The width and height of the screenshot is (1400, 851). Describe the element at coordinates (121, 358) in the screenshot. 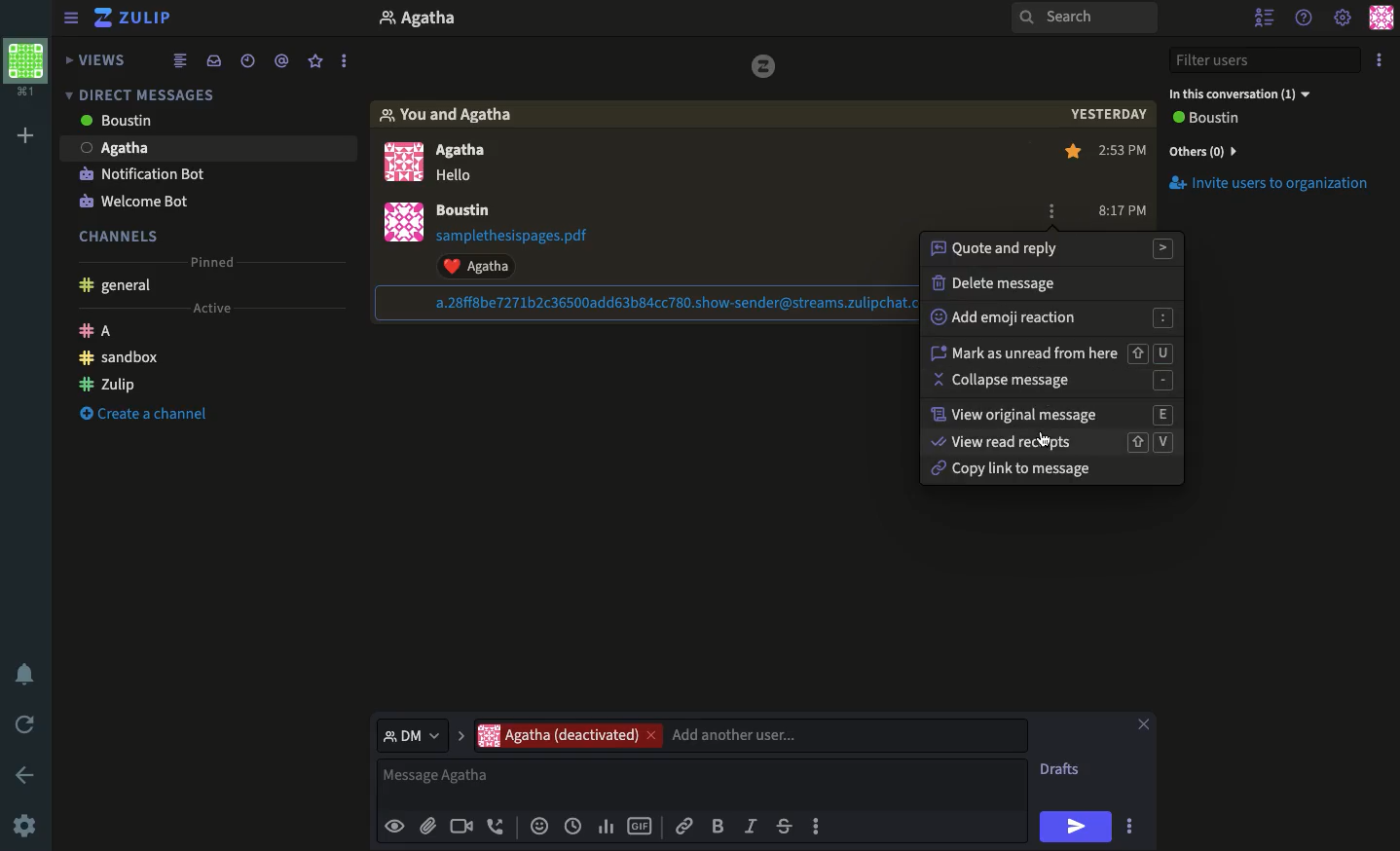

I see `Sandbox` at that location.